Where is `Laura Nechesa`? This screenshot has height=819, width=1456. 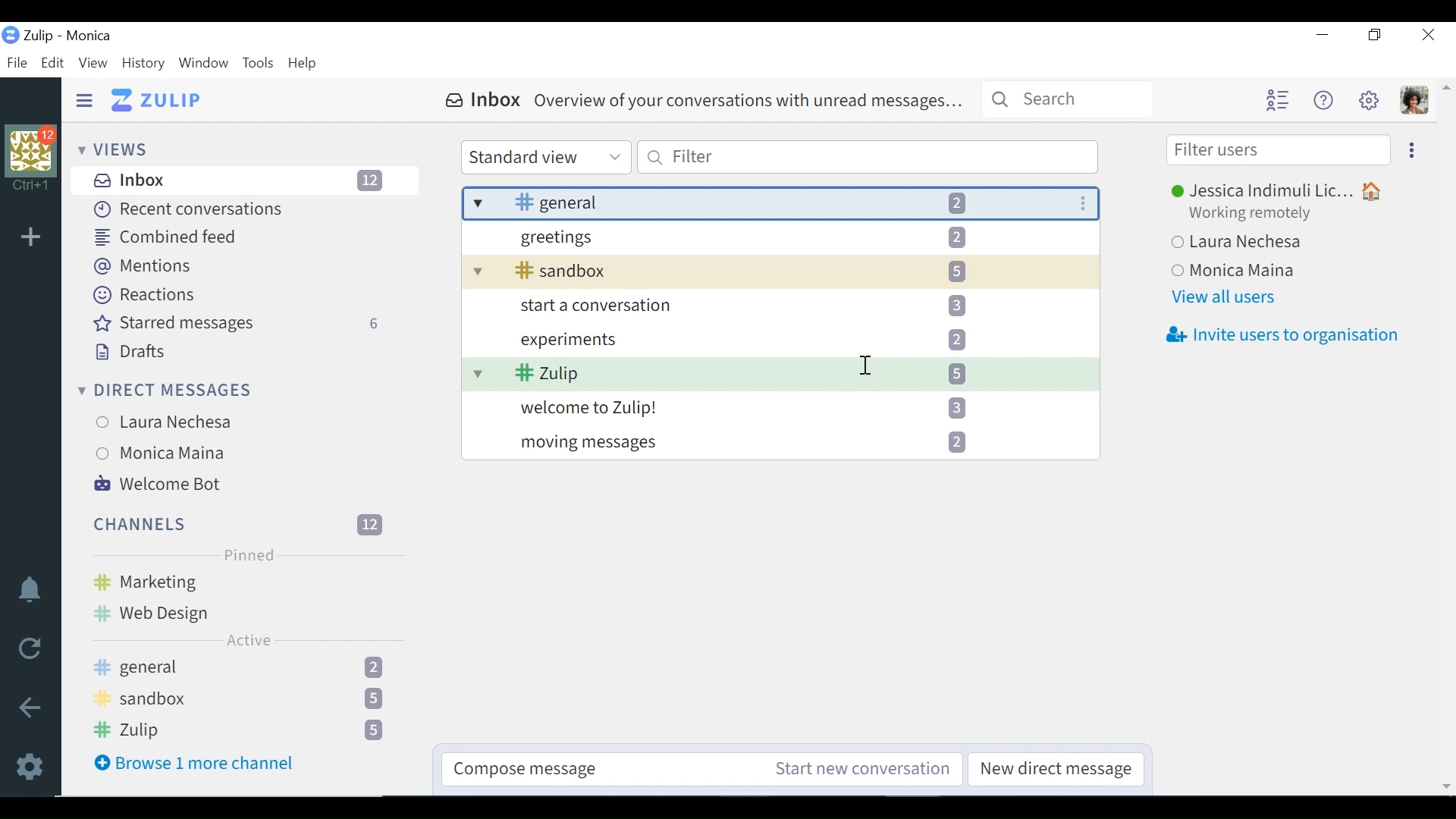 Laura Nechesa is located at coordinates (164, 422).